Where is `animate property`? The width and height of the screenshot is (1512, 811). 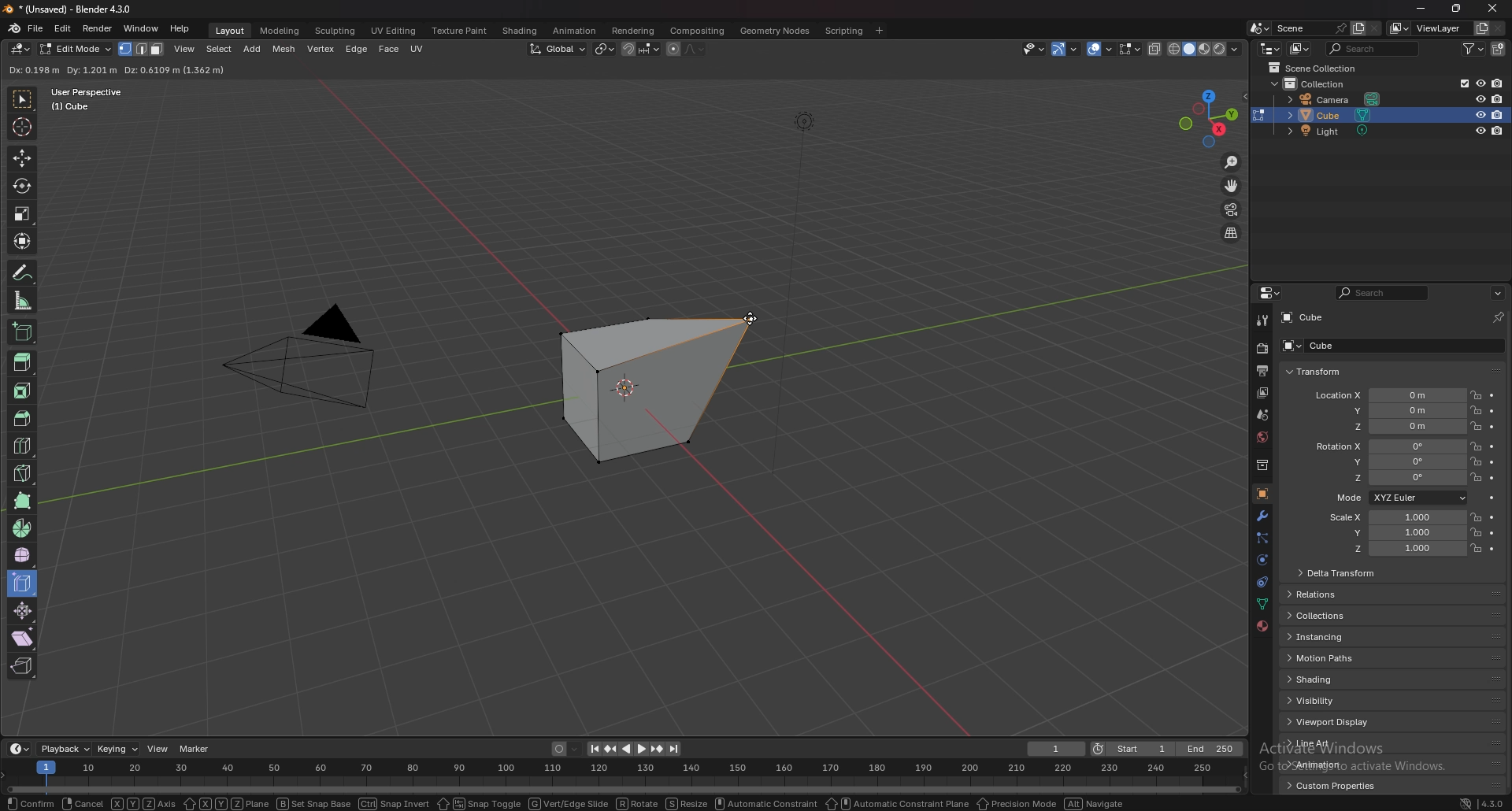 animate property is located at coordinates (1492, 533).